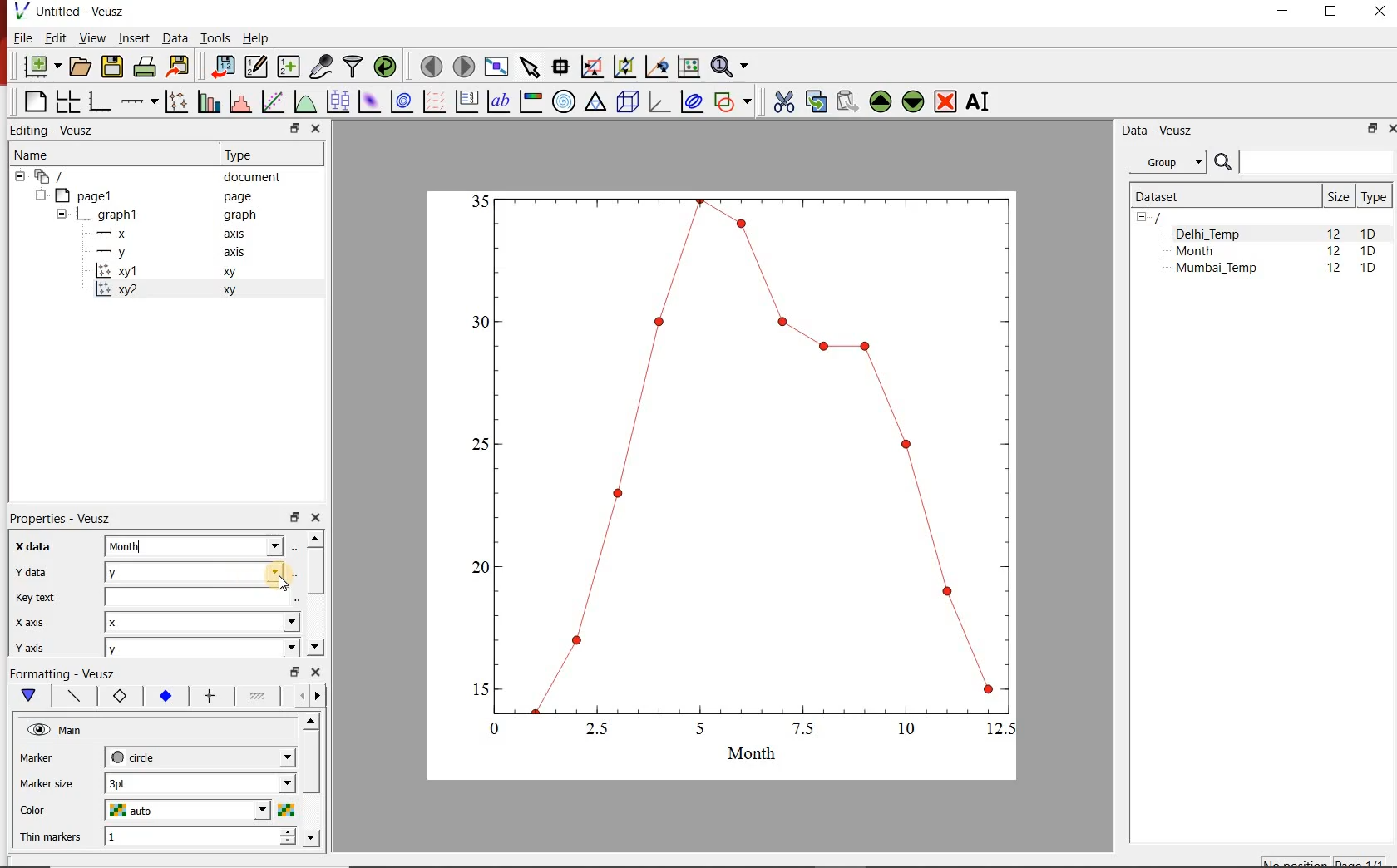  I want to click on 1D, so click(1368, 269).